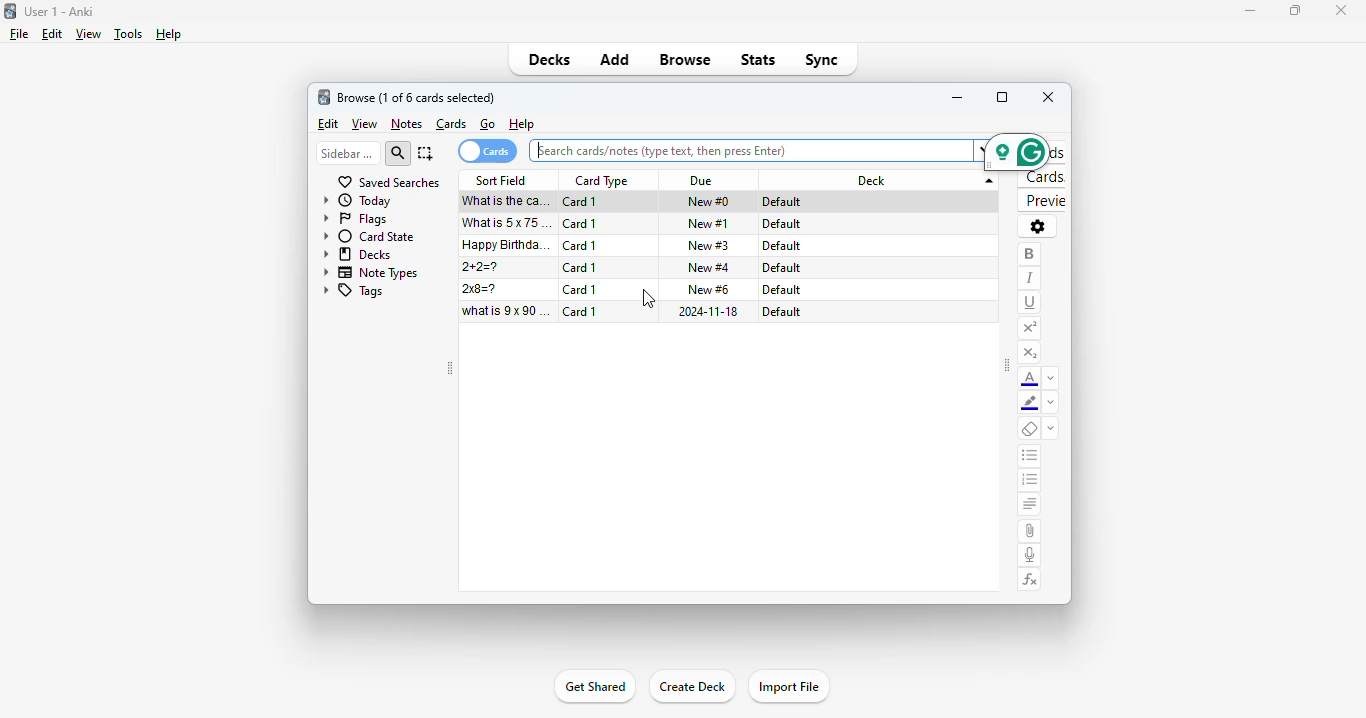  What do you see at coordinates (426, 153) in the screenshot?
I see `select` at bounding box center [426, 153].